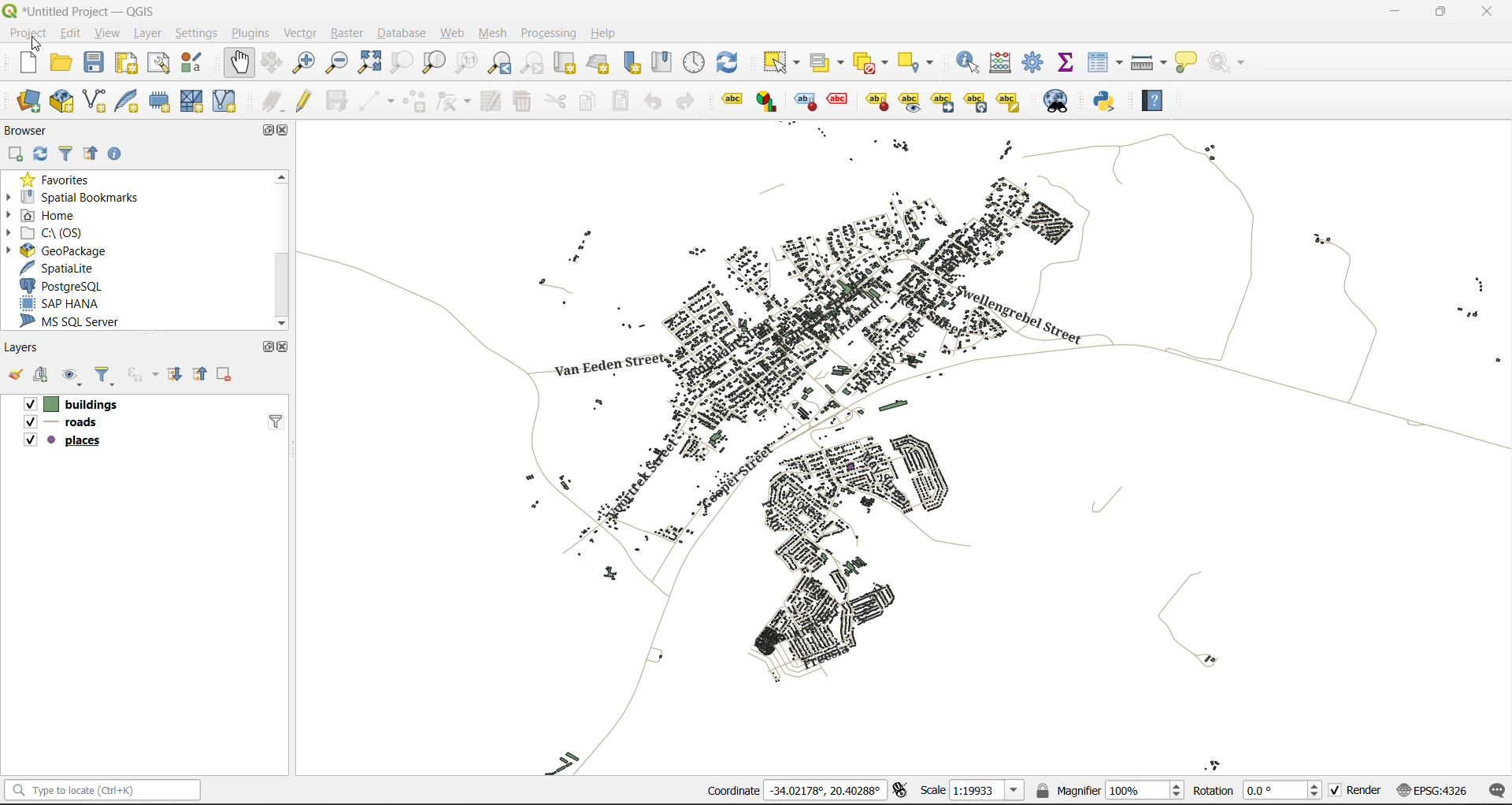 The image size is (1512, 805). I want to click on coordinates, so click(795, 792).